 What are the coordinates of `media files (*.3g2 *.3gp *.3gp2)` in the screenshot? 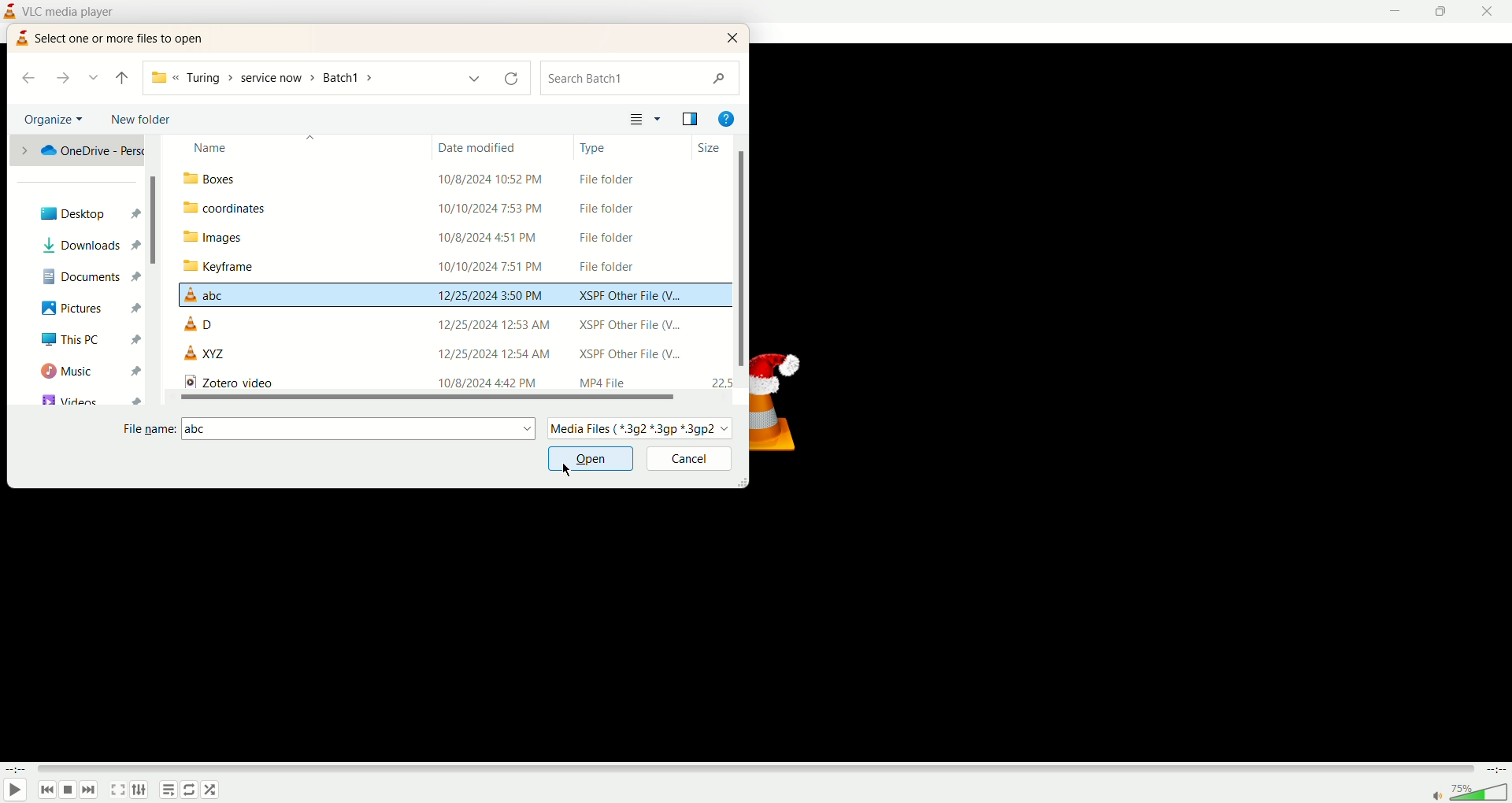 It's located at (647, 429).